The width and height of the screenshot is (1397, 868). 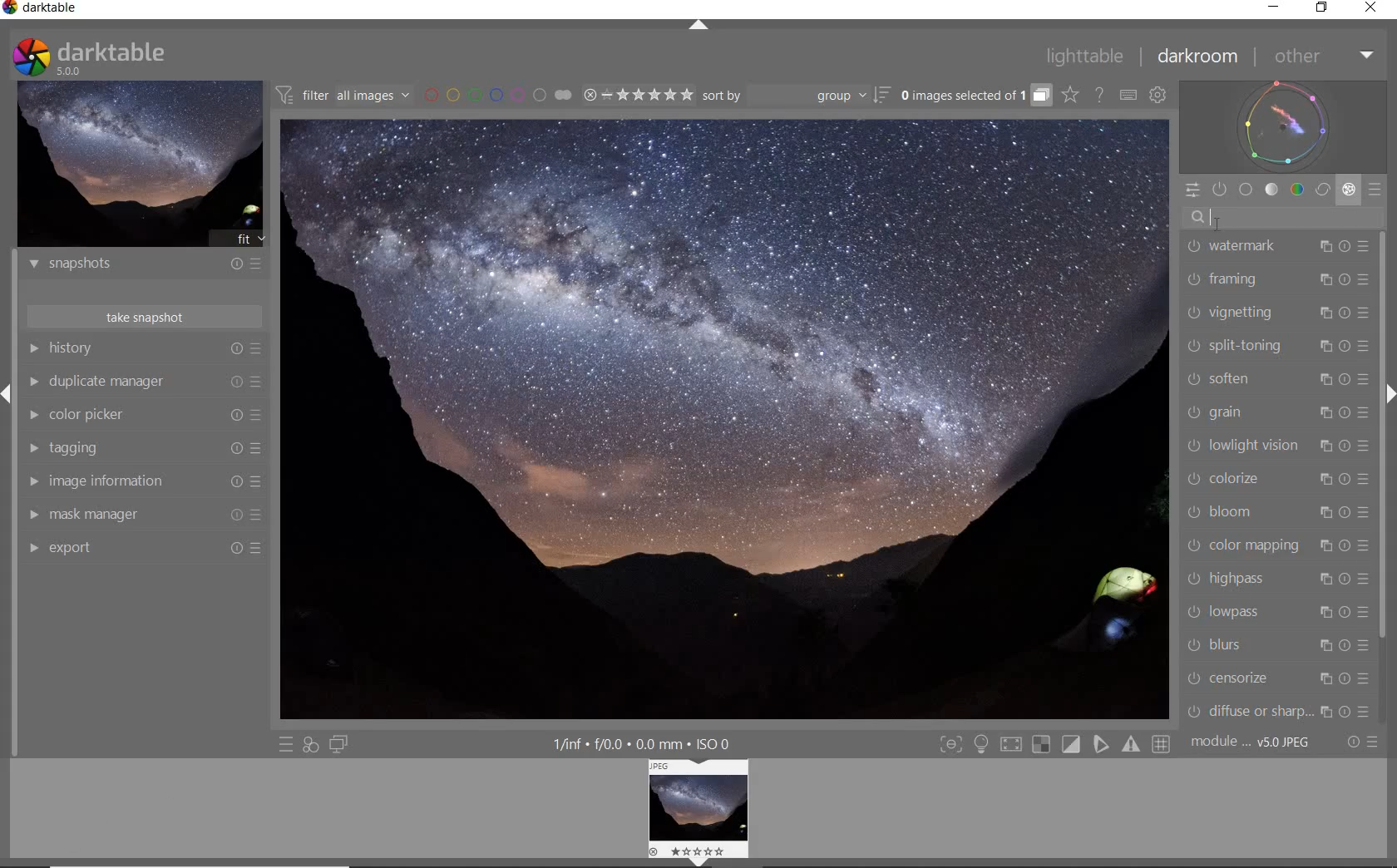 What do you see at coordinates (954, 744) in the screenshot?
I see `toggle focus-peaking mode` at bounding box center [954, 744].